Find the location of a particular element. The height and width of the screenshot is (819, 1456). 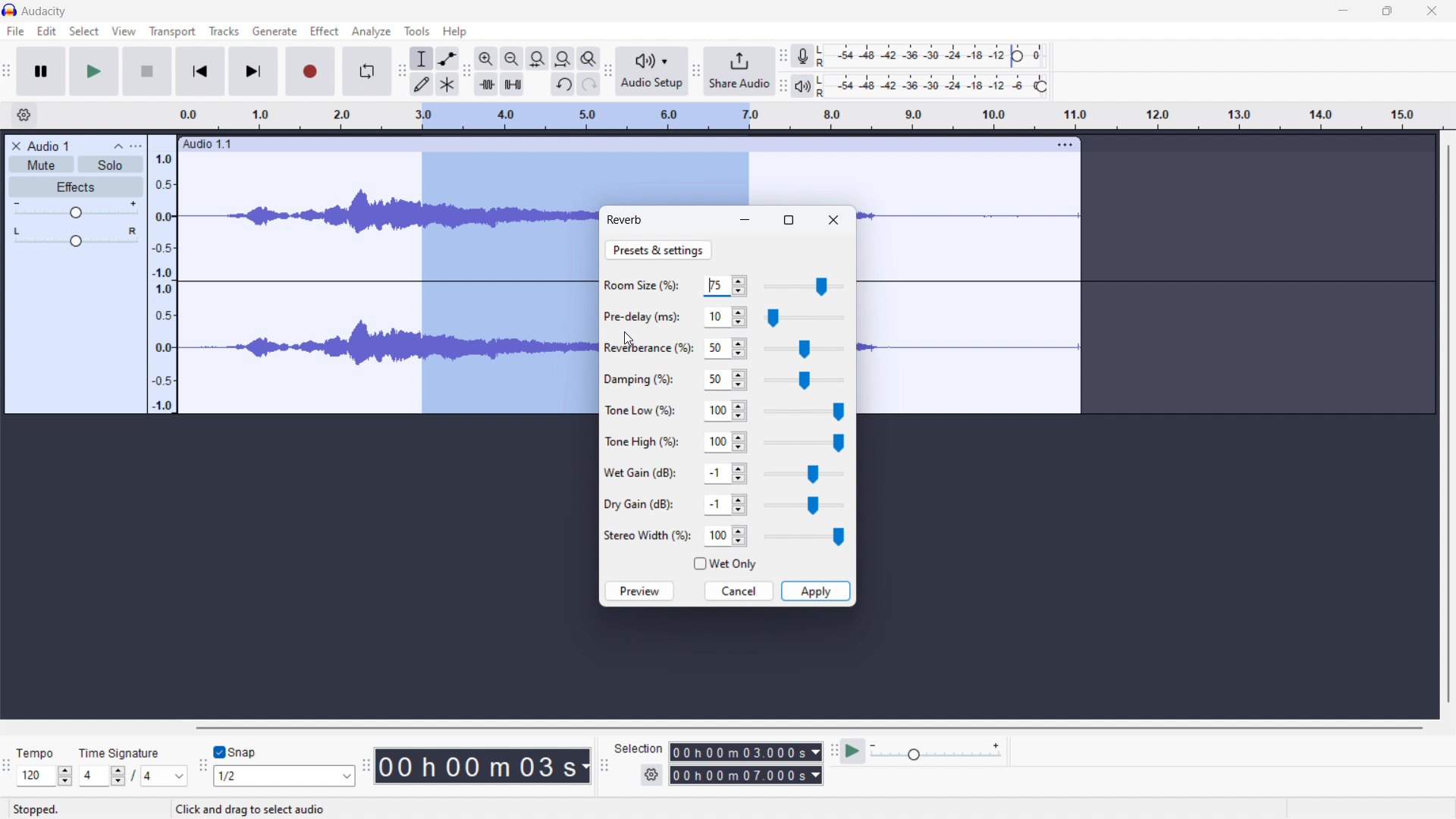

wet gain slider is located at coordinates (805, 475).